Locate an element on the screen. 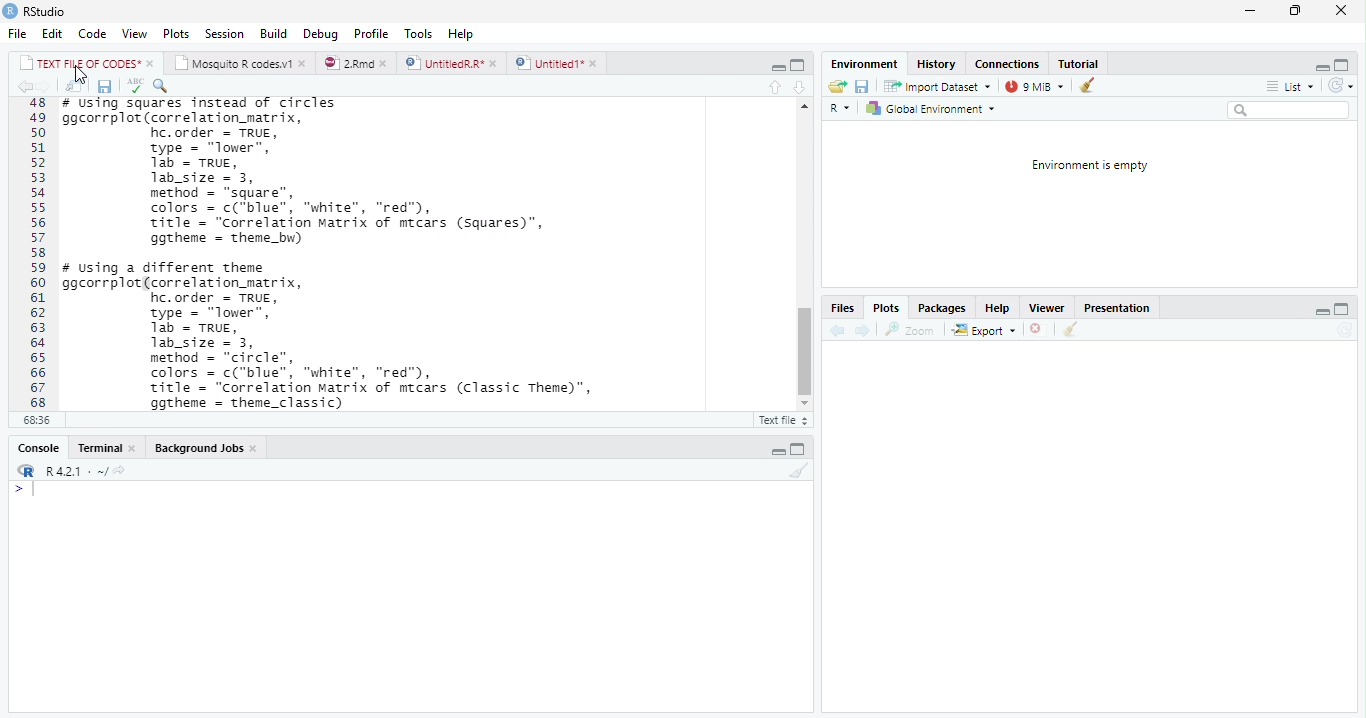 This screenshot has width=1366, height=718.  UntitiedR is located at coordinates (452, 63).